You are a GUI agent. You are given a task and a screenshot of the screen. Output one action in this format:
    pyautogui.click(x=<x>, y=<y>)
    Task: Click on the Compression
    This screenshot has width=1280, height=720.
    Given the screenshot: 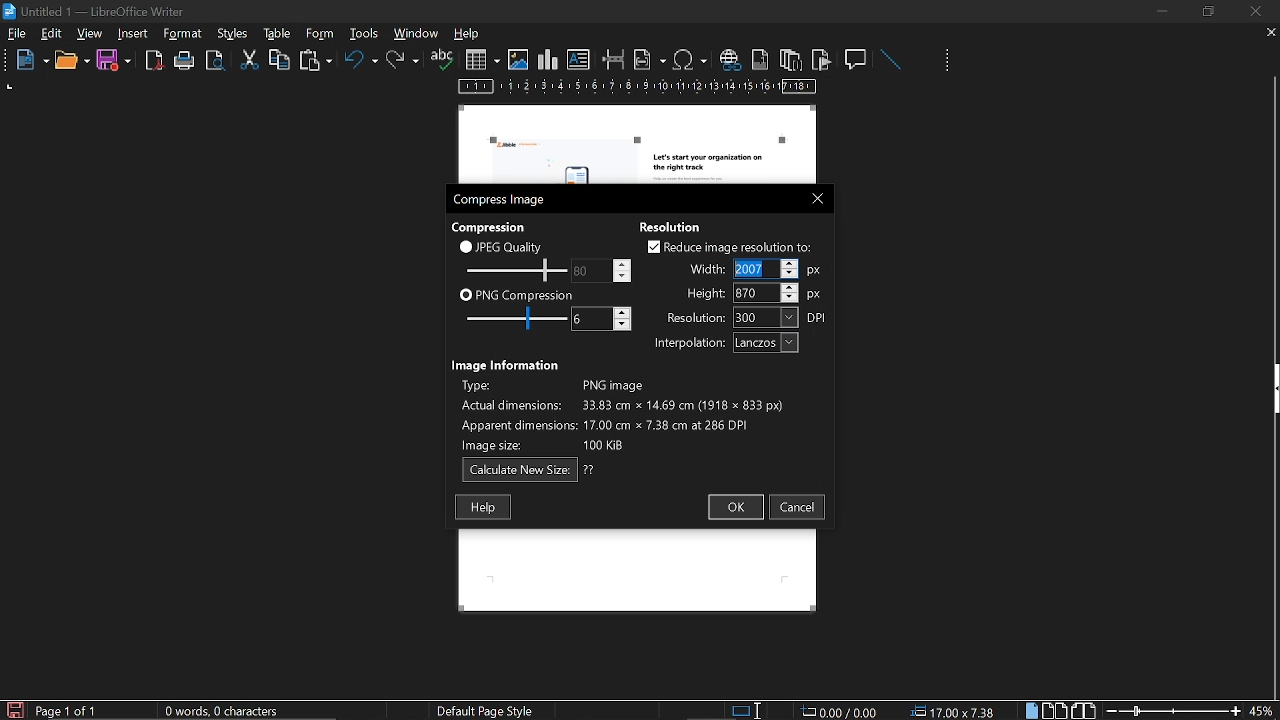 What is the action you would take?
    pyautogui.click(x=491, y=226)
    